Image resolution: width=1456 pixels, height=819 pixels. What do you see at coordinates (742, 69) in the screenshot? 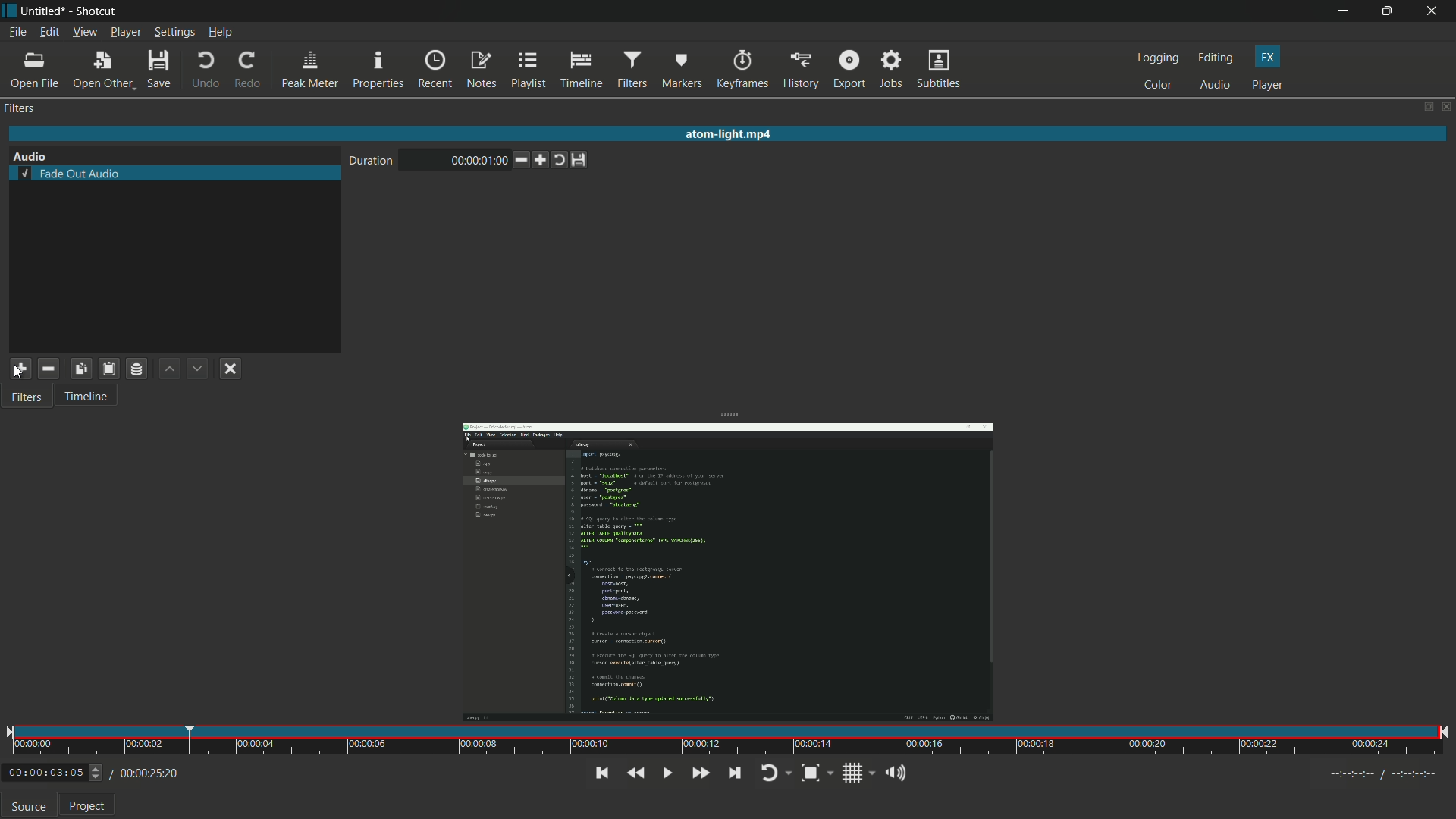
I see `keyframes` at bounding box center [742, 69].